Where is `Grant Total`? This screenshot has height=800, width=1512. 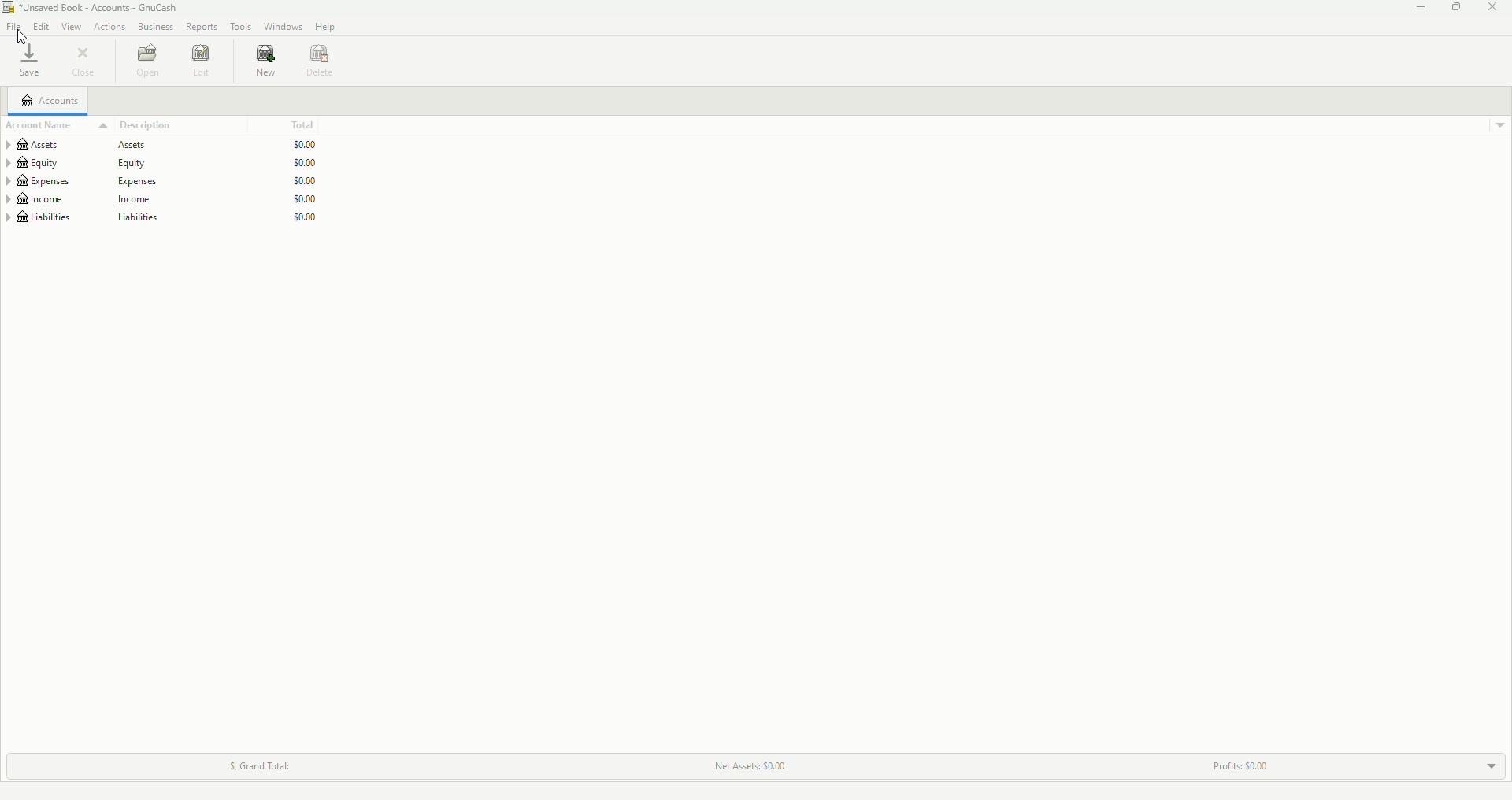
Grant Total is located at coordinates (270, 761).